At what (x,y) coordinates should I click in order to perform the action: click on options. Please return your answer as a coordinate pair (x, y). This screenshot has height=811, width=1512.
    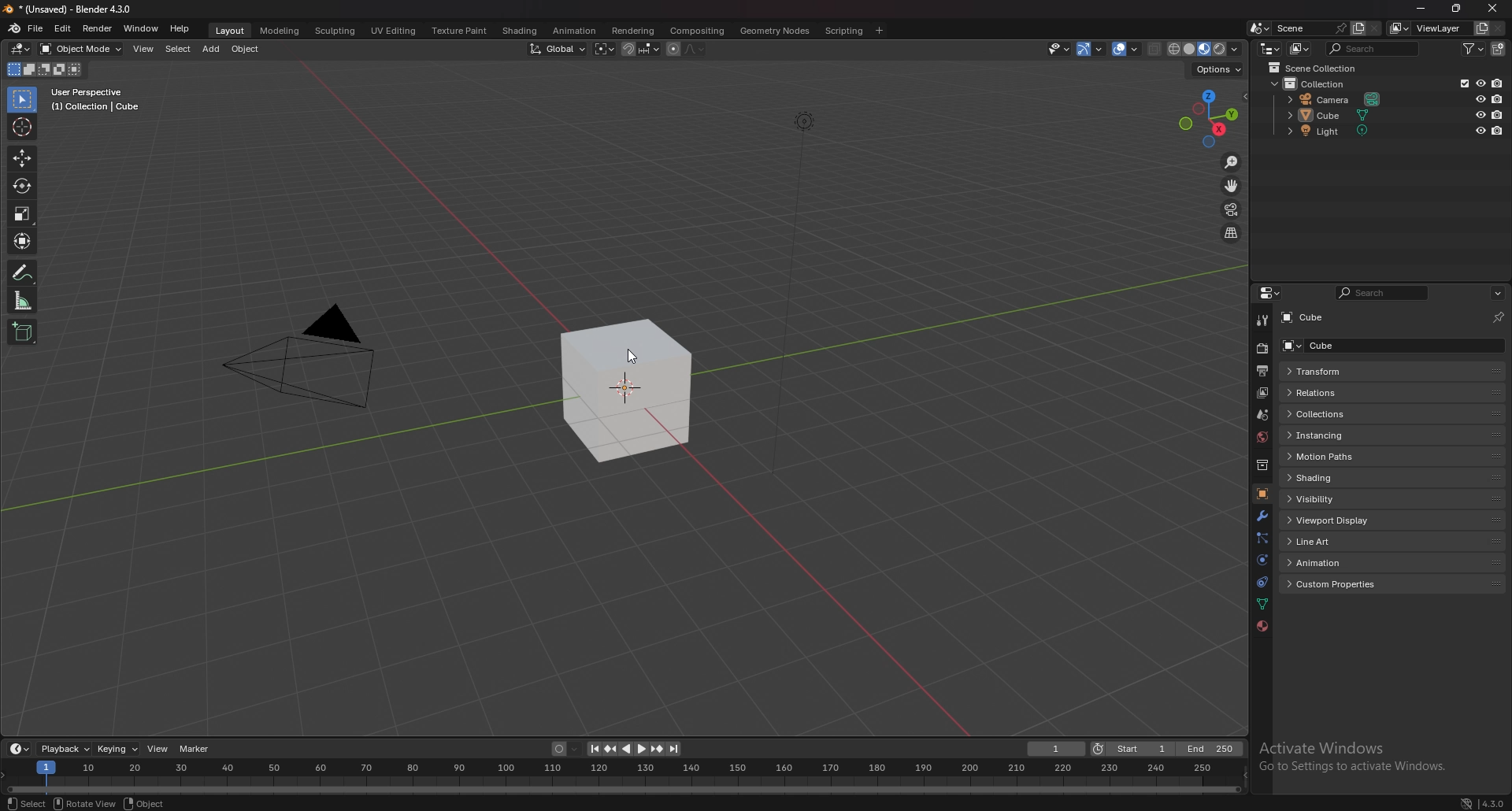
    Looking at the image, I should click on (1497, 293).